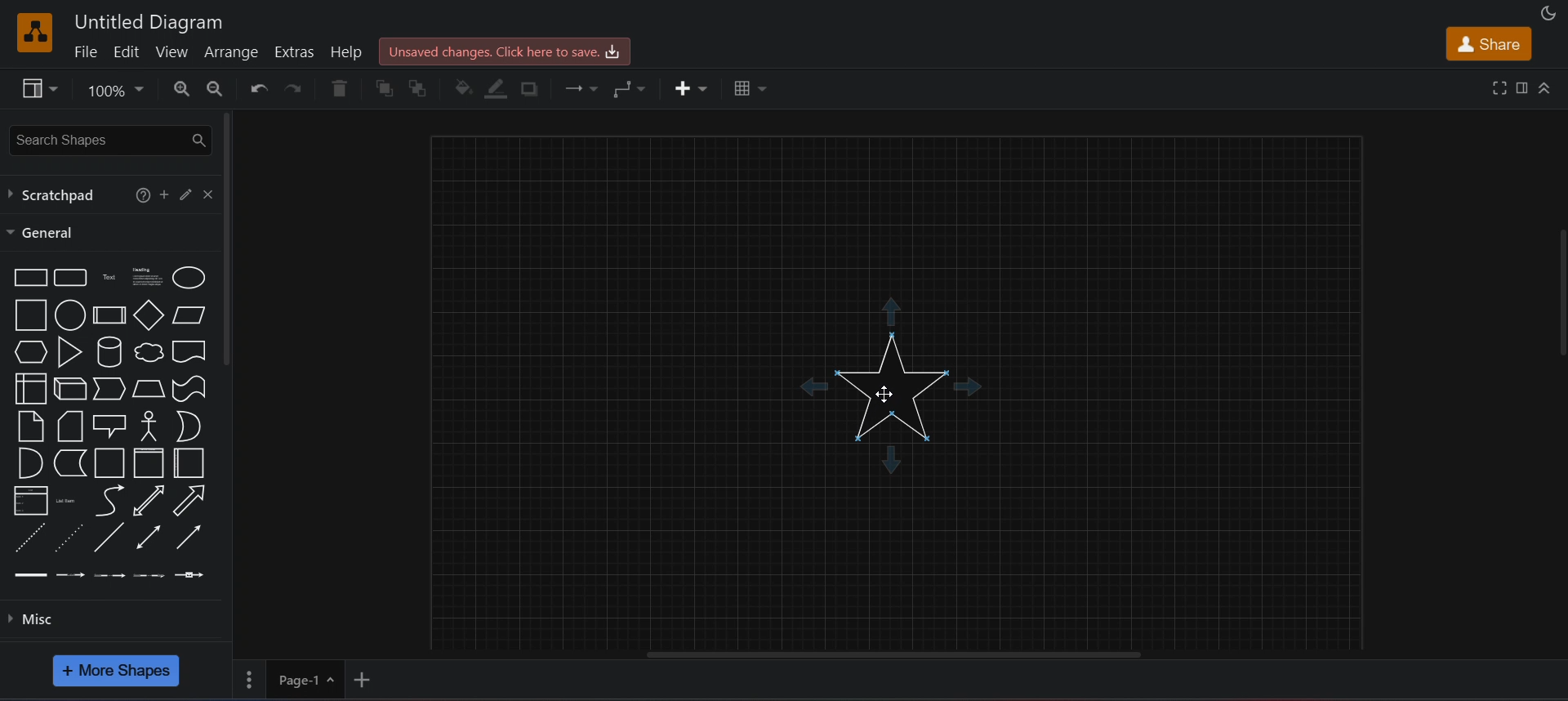 The width and height of the screenshot is (1568, 701). What do you see at coordinates (534, 88) in the screenshot?
I see `shadow` at bounding box center [534, 88].